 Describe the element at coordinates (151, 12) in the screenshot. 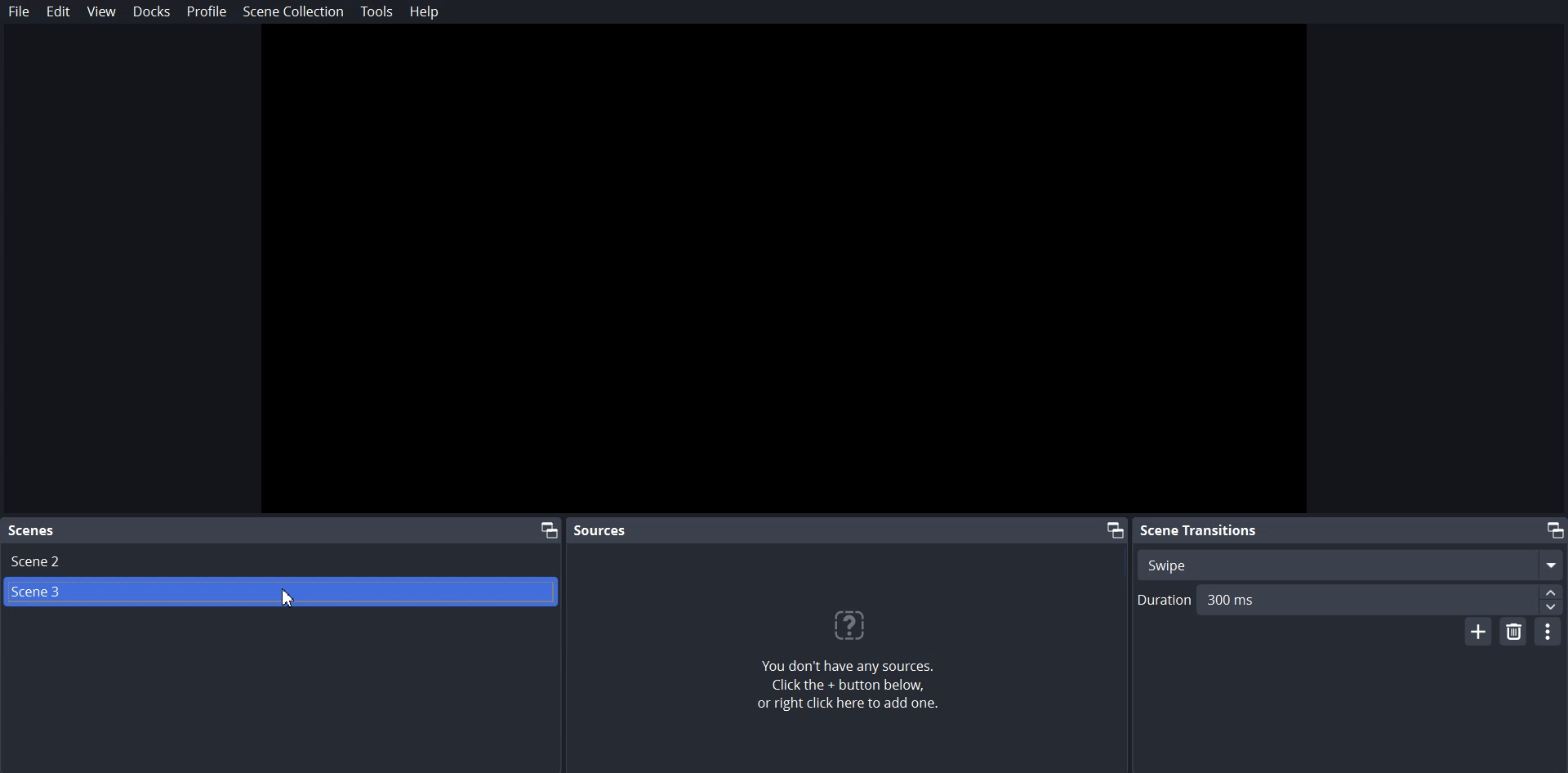

I see `Docks` at that location.